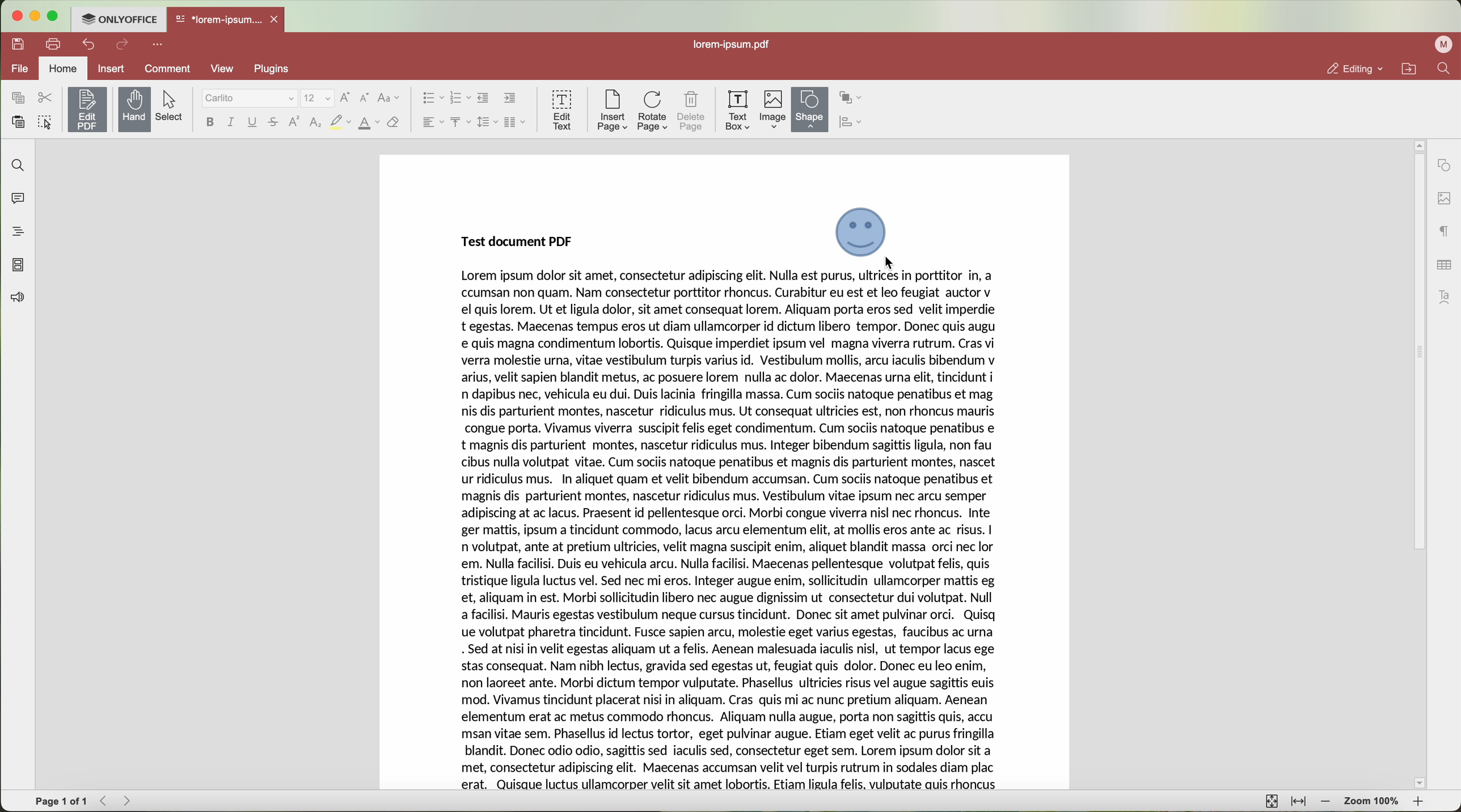 The image size is (1461, 812). Describe the element at coordinates (723, 530) in the screenshot. I see `TEST DOCUMENT PDF CONTENT` at that location.